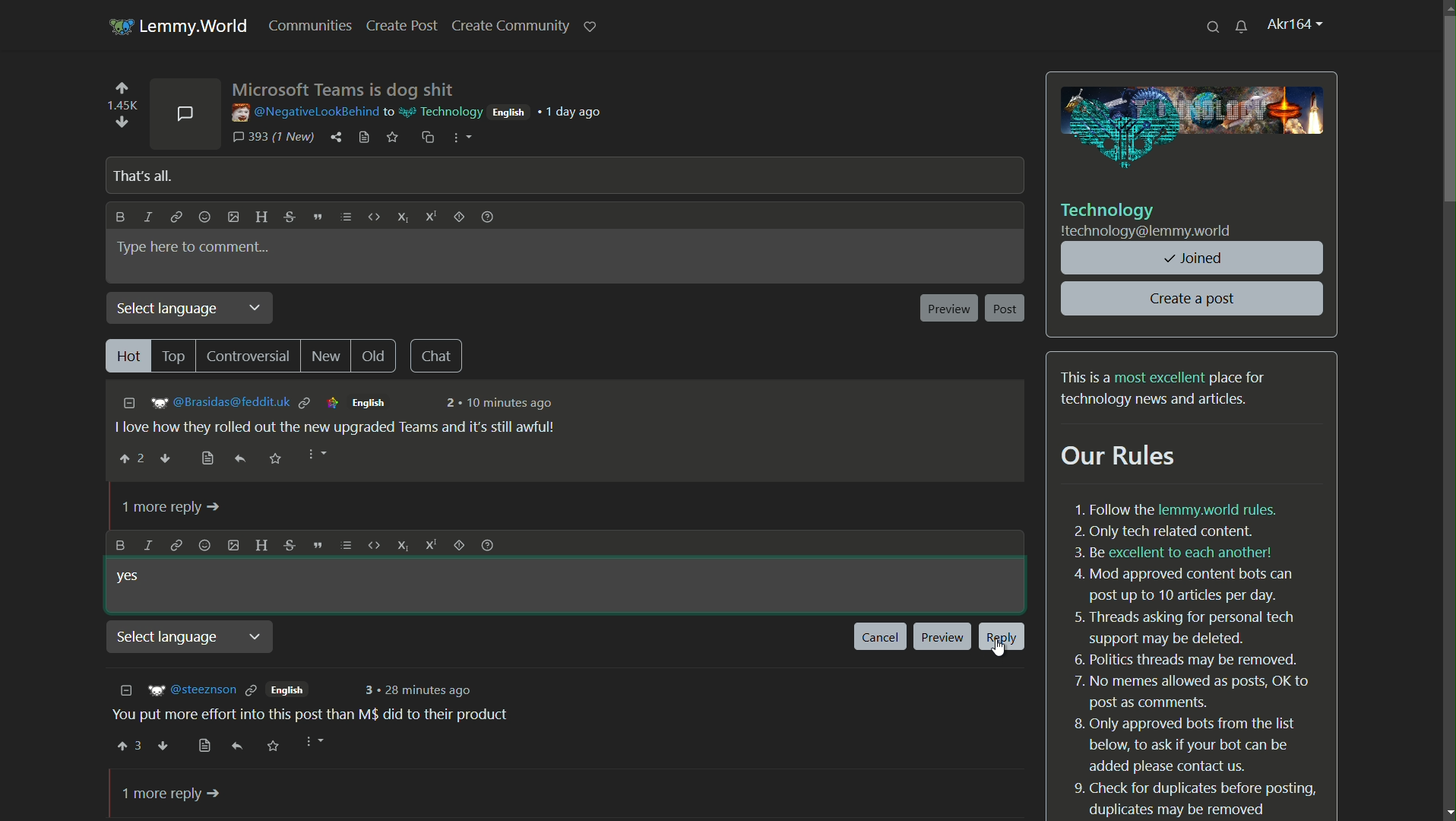  What do you see at coordinates (315, 545) in the screenshot?
I see `quote` at bounding box center [315, 545].